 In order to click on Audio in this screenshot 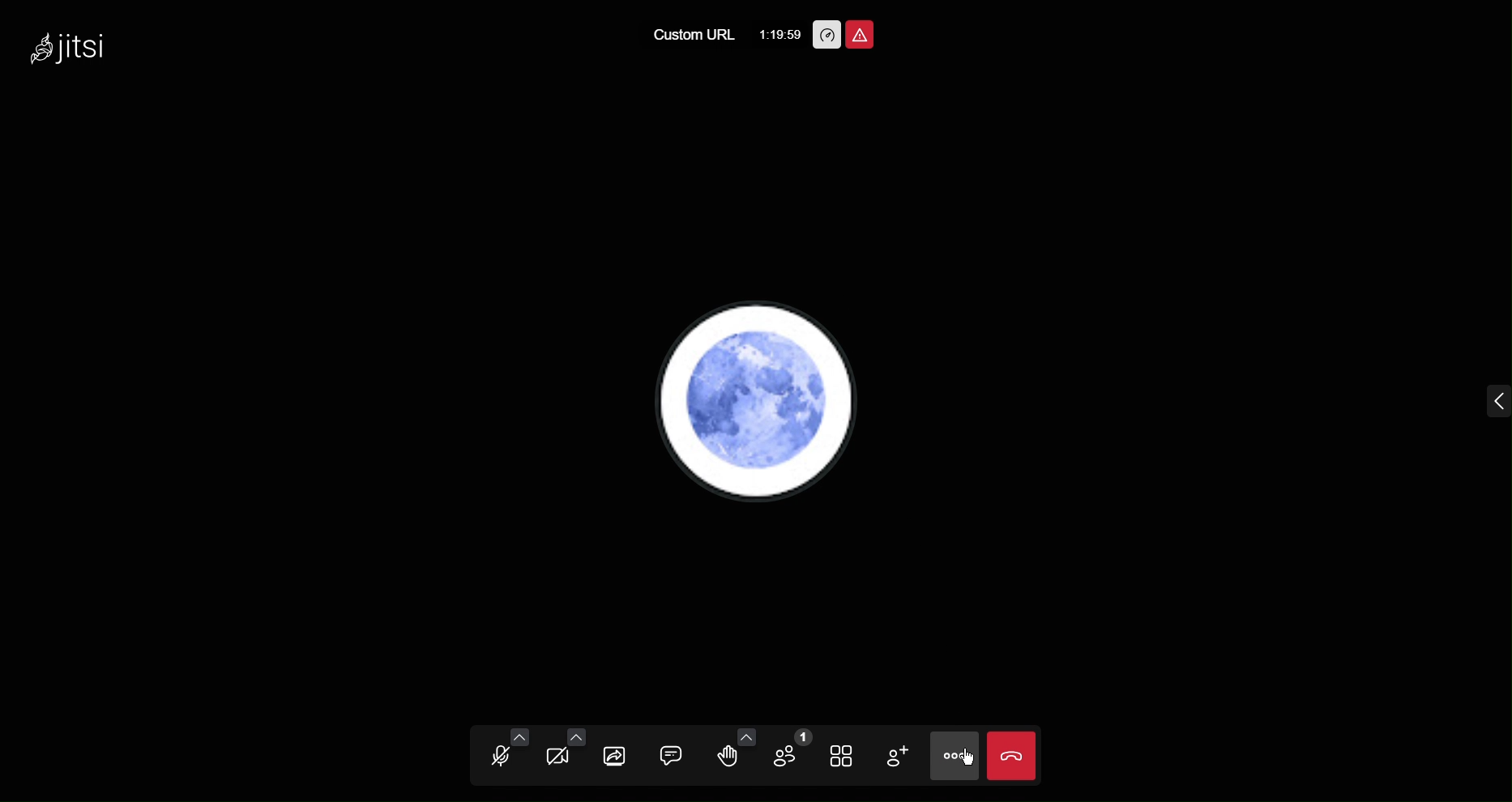, I will do `click(497, 752)`.